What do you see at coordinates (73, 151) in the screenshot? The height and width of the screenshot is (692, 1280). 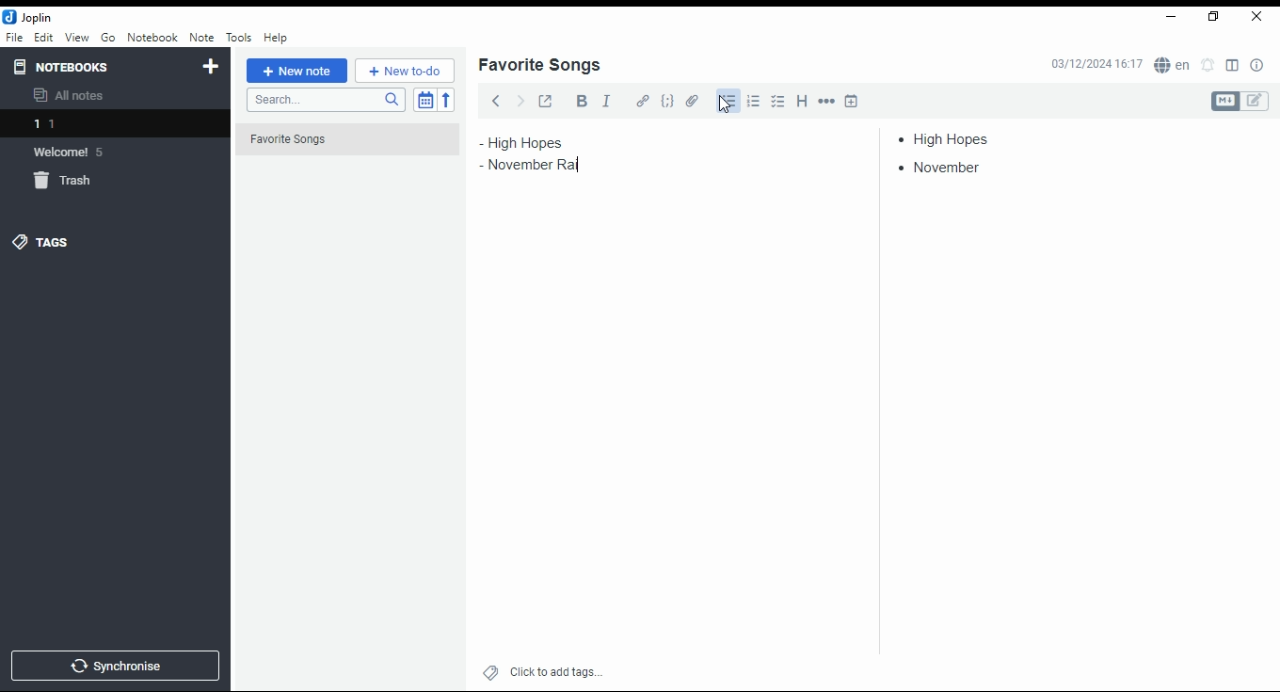 I see `notebook: welcome` at bounding box center [73, 151].